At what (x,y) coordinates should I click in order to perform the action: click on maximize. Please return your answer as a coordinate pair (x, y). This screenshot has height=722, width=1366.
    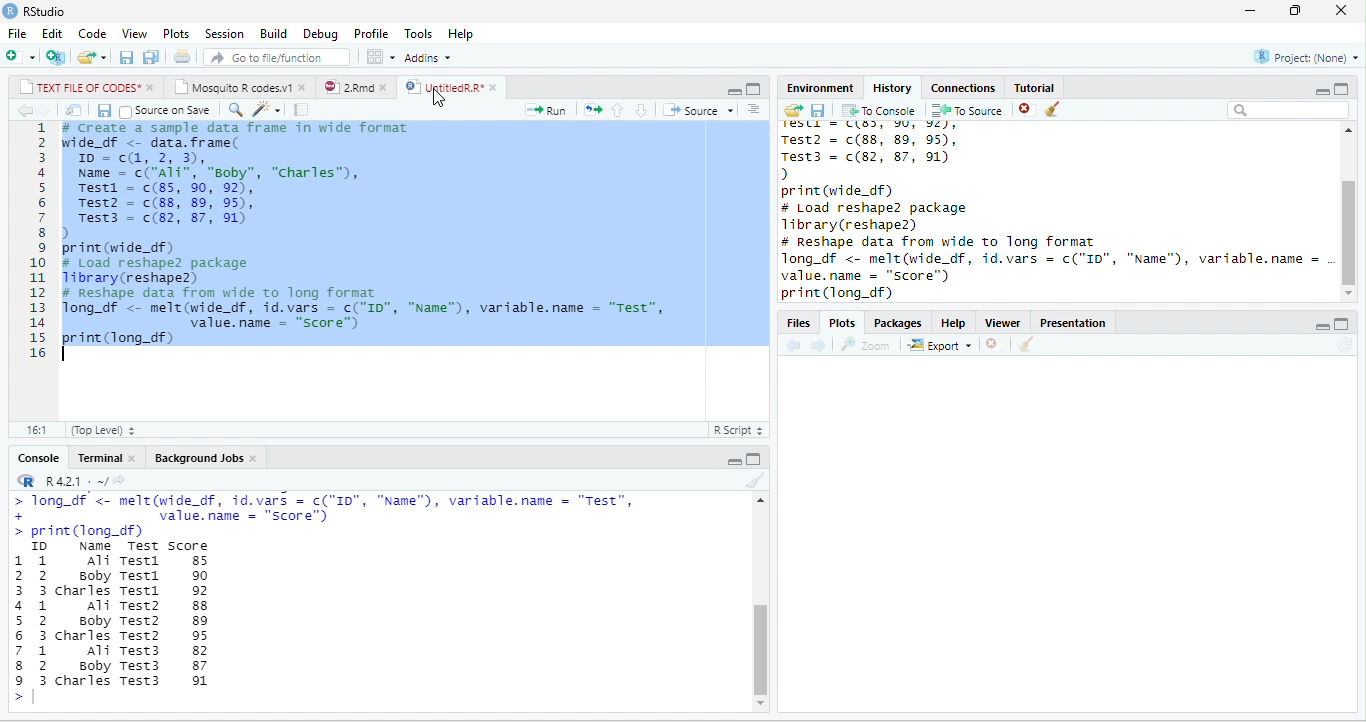
    Looking at the image, I should click on (1342, 89).